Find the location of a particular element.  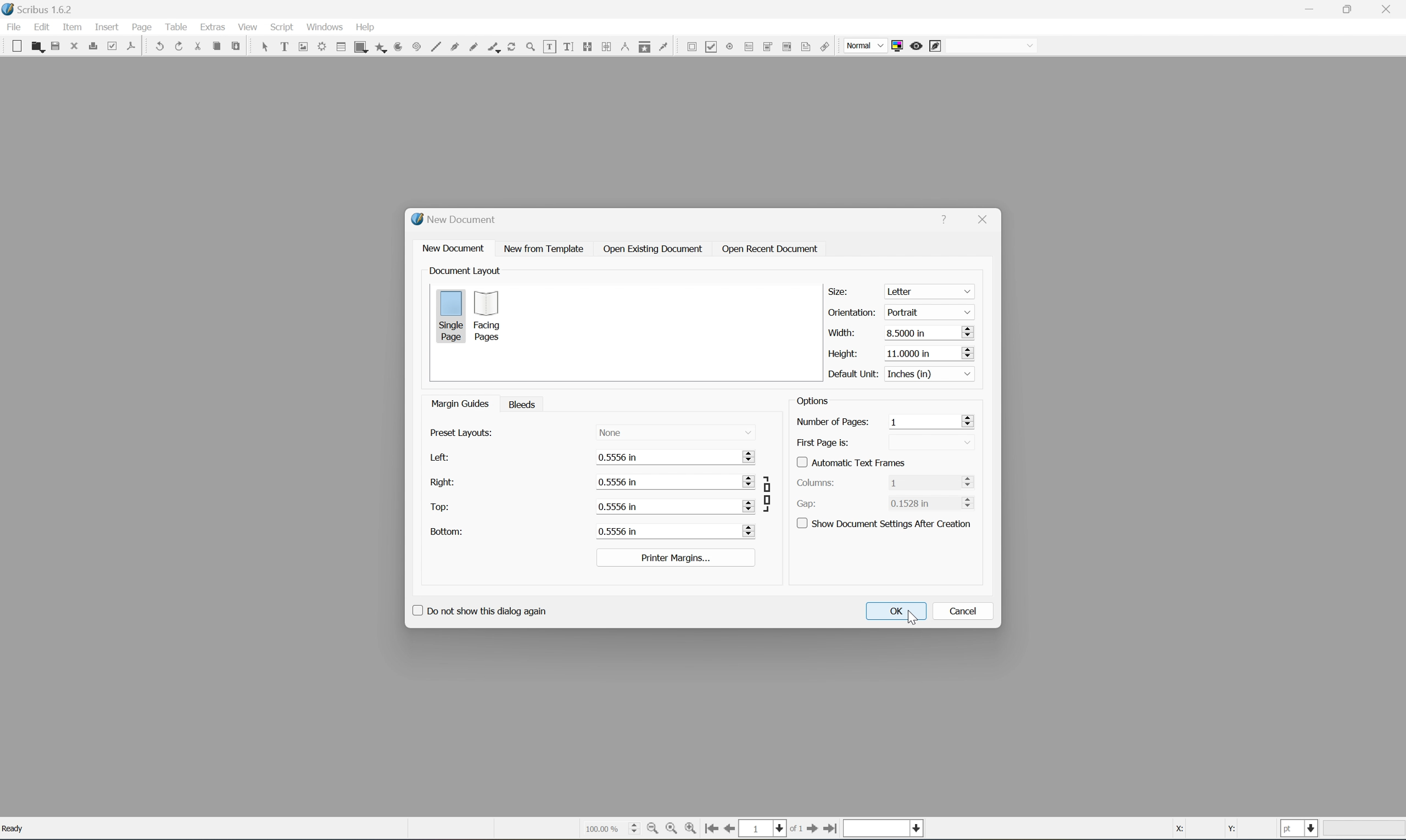

cut is located at coordinates (199, 45).